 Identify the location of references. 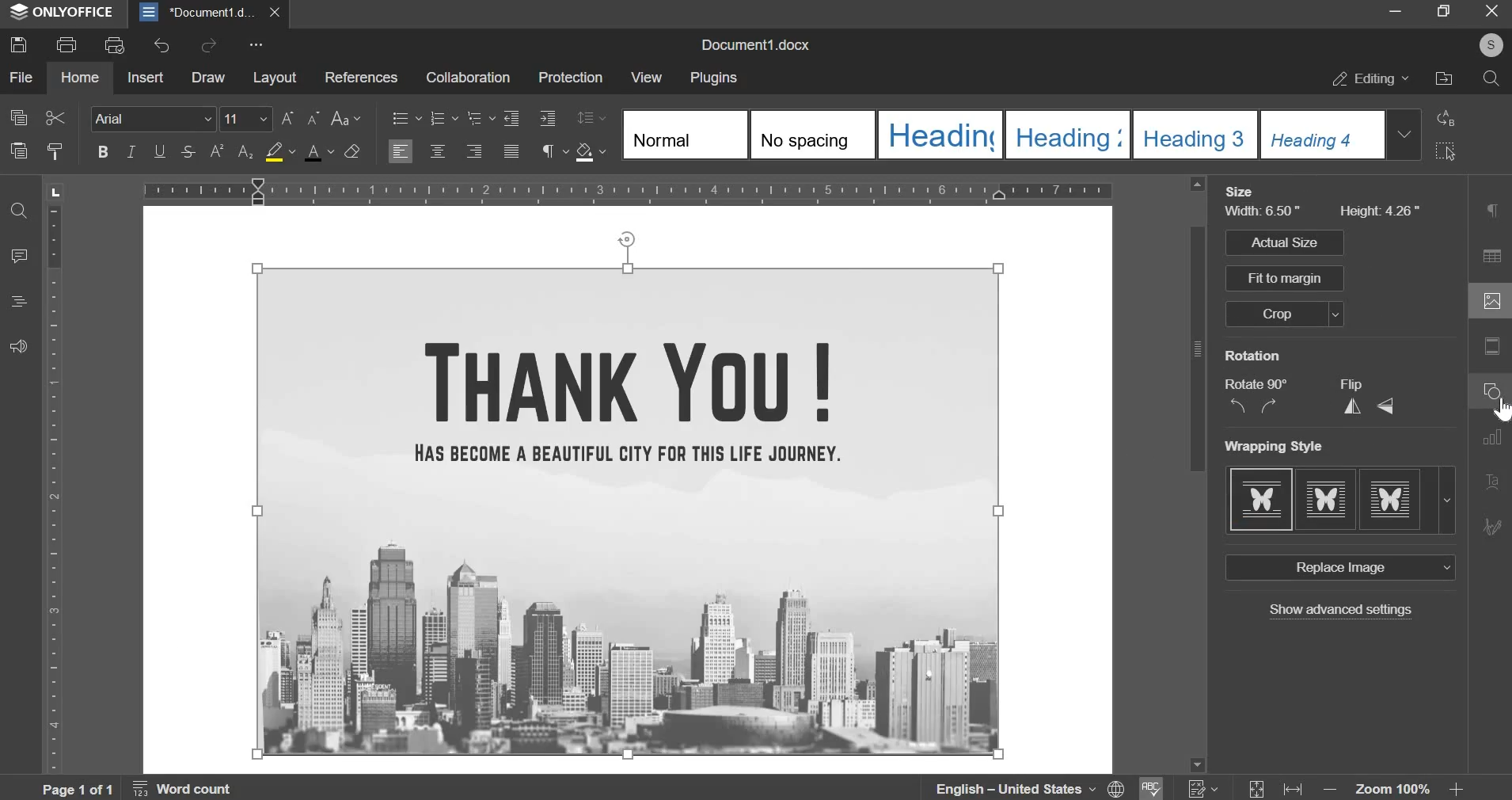
(360, 77).